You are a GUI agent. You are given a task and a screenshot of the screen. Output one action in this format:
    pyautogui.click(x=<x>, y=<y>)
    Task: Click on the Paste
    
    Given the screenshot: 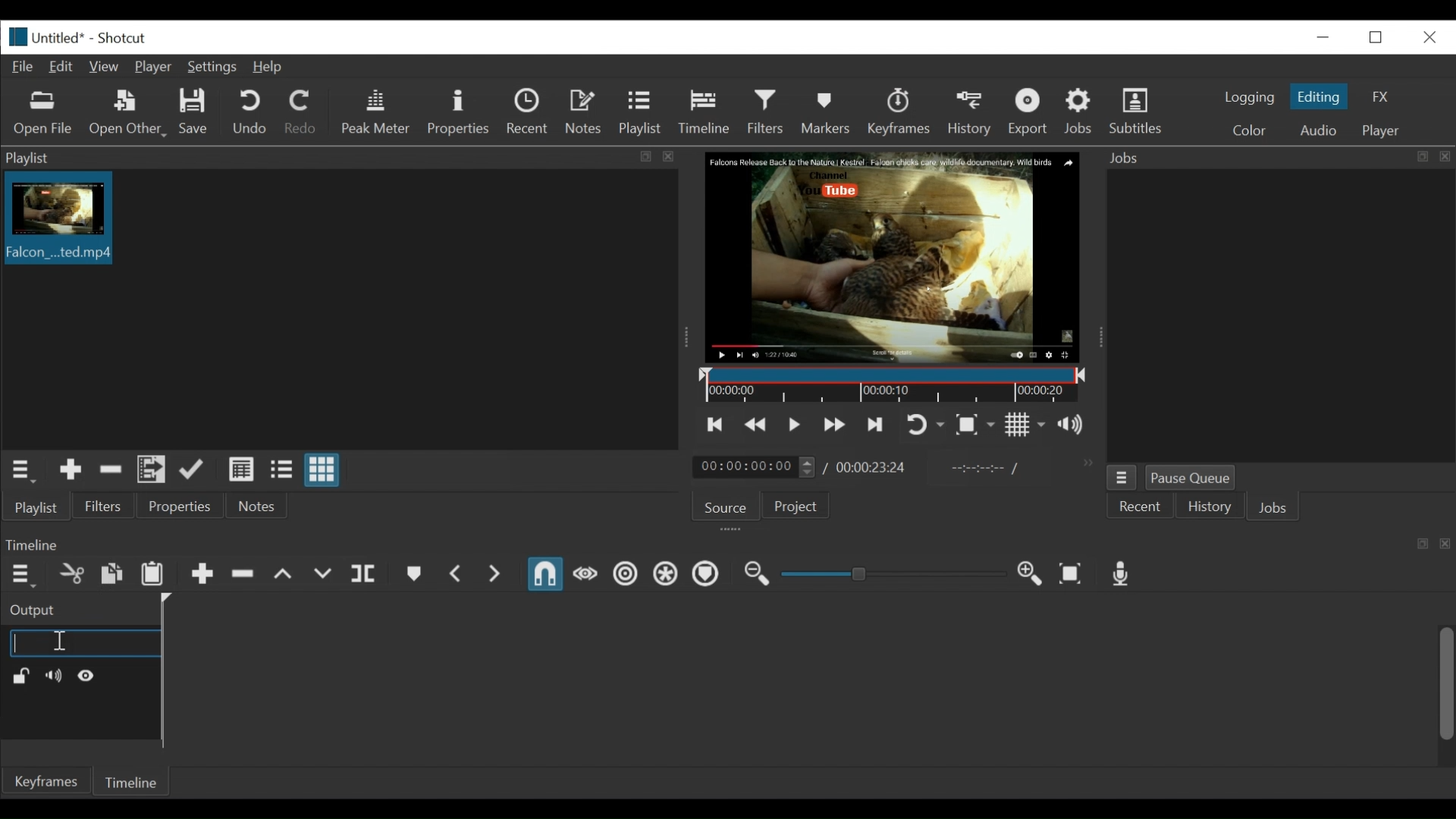 What is the action you would take?
    pyautogui.click(x=153, y=576)
    